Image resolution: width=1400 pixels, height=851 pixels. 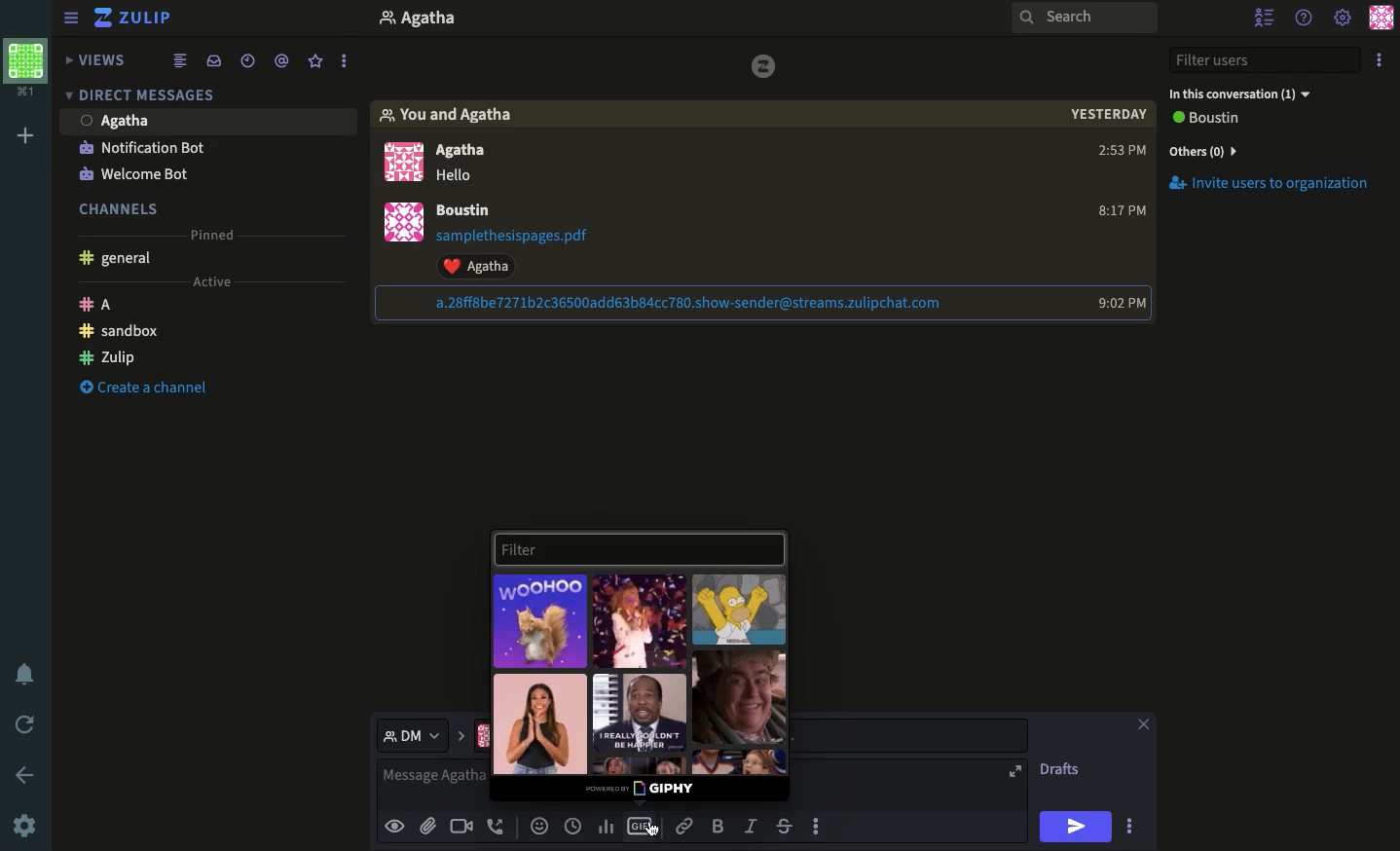 What do you see at coordinates (422, 18) in the screenshot?
I see `profile` at bounding box center [422, 18].